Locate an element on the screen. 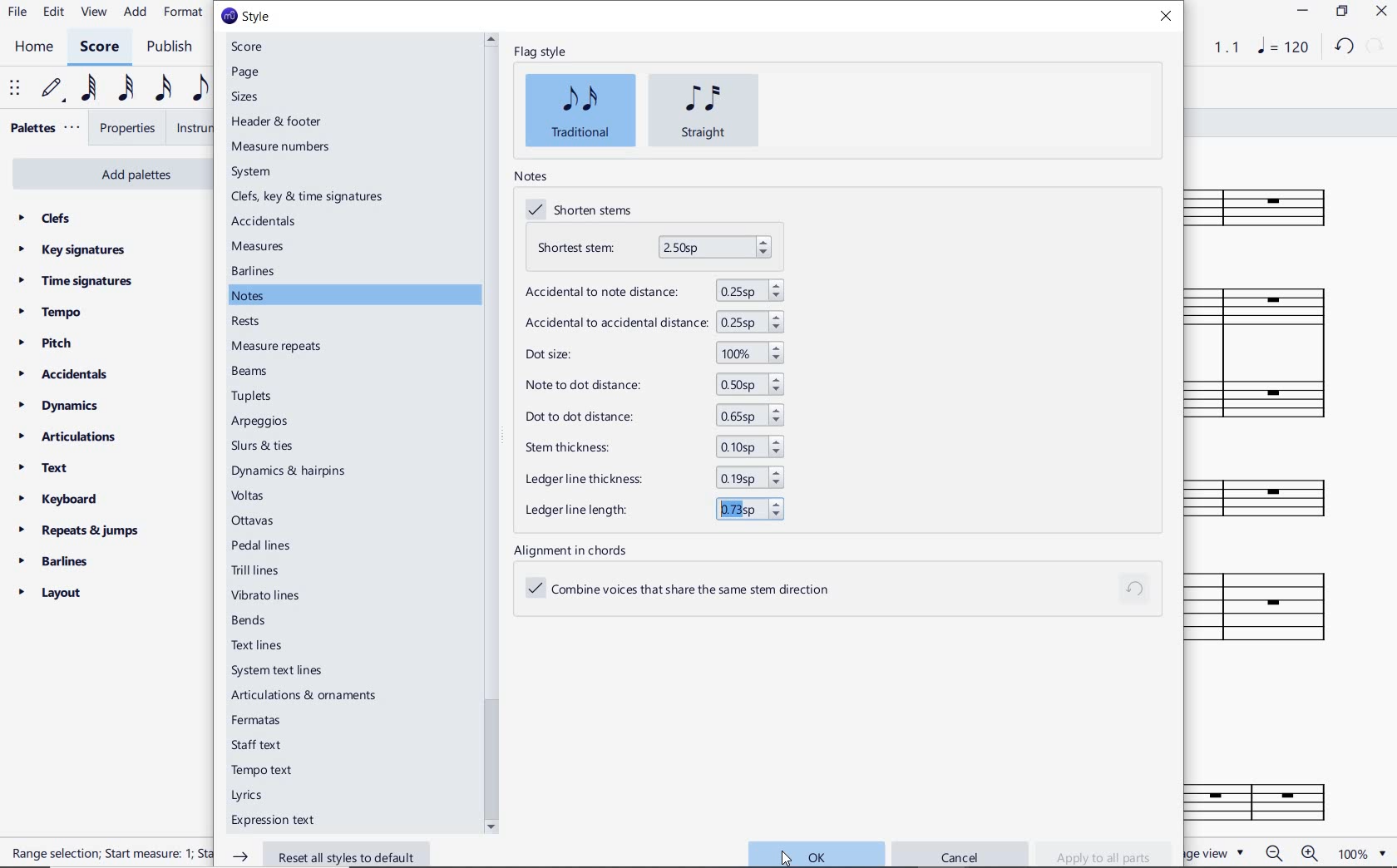 This screenshot has width=1397, height=868. add is located at coordinates (136, 13).